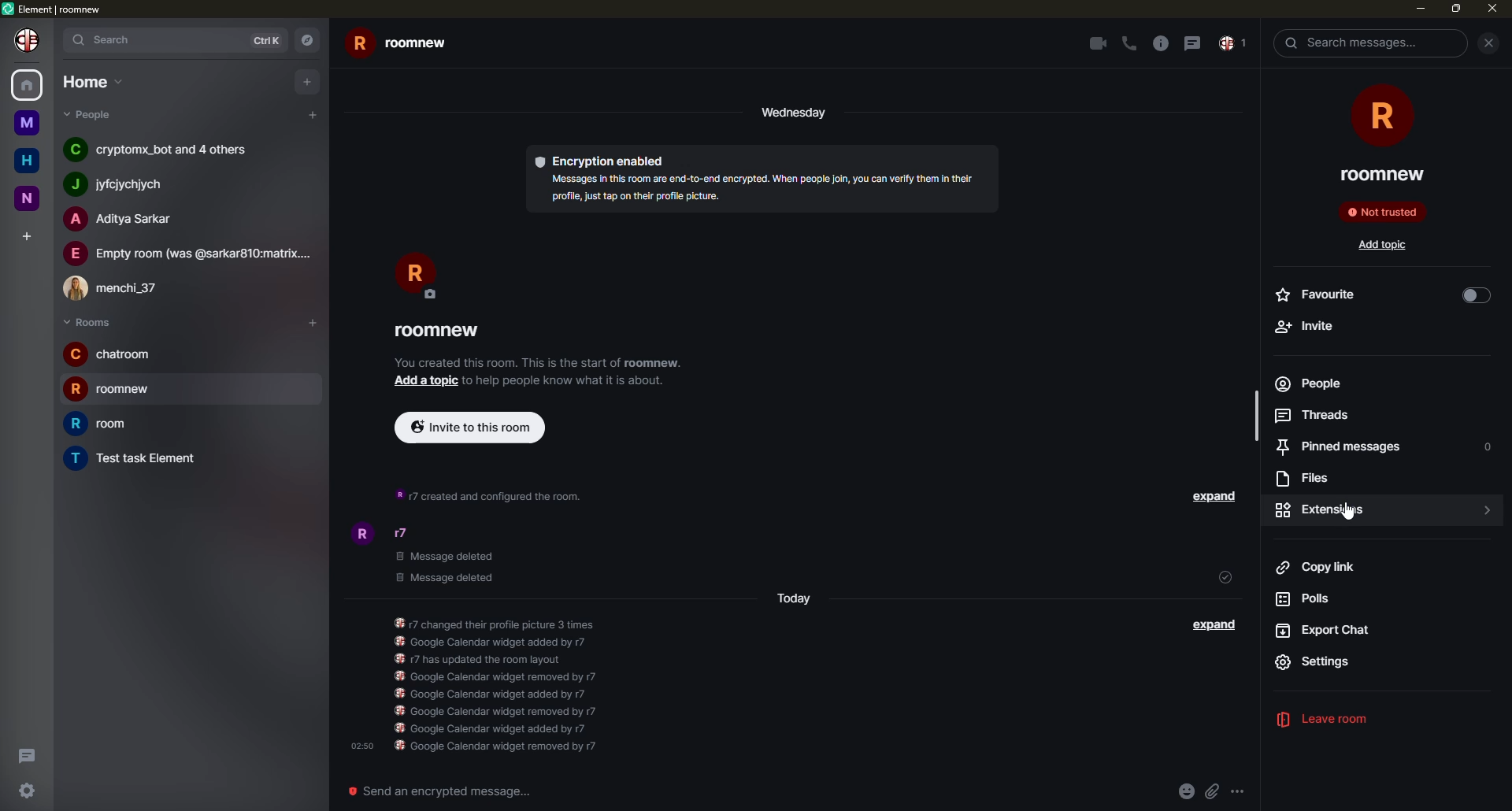 The image size is (1512, 811). Describe the element at coordinates (31, 794) in the screenshot. I see `settings` at that location.